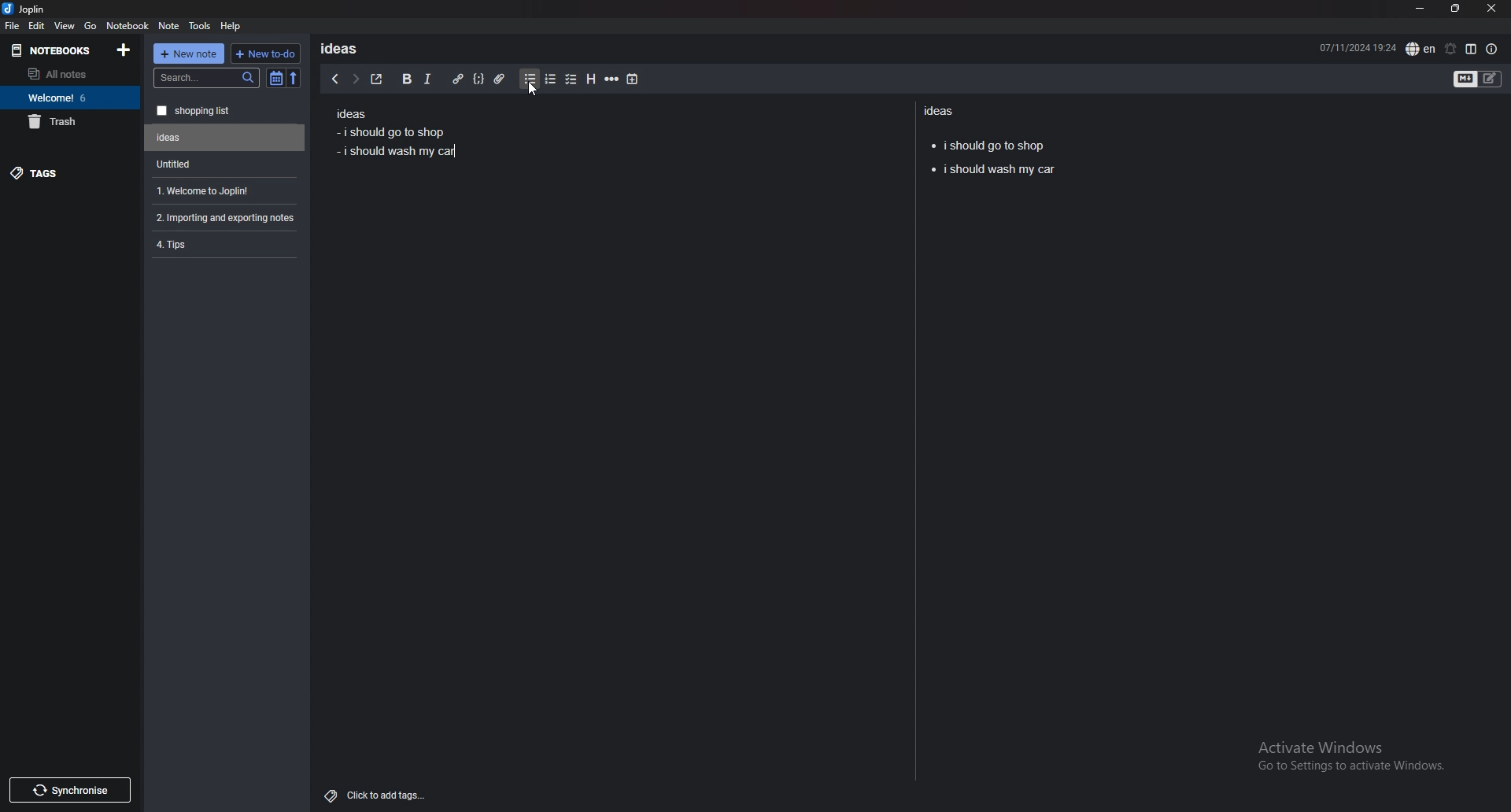 This screenshot has height=812, width=1511. I want to click on checkbox, so click(571, 80).